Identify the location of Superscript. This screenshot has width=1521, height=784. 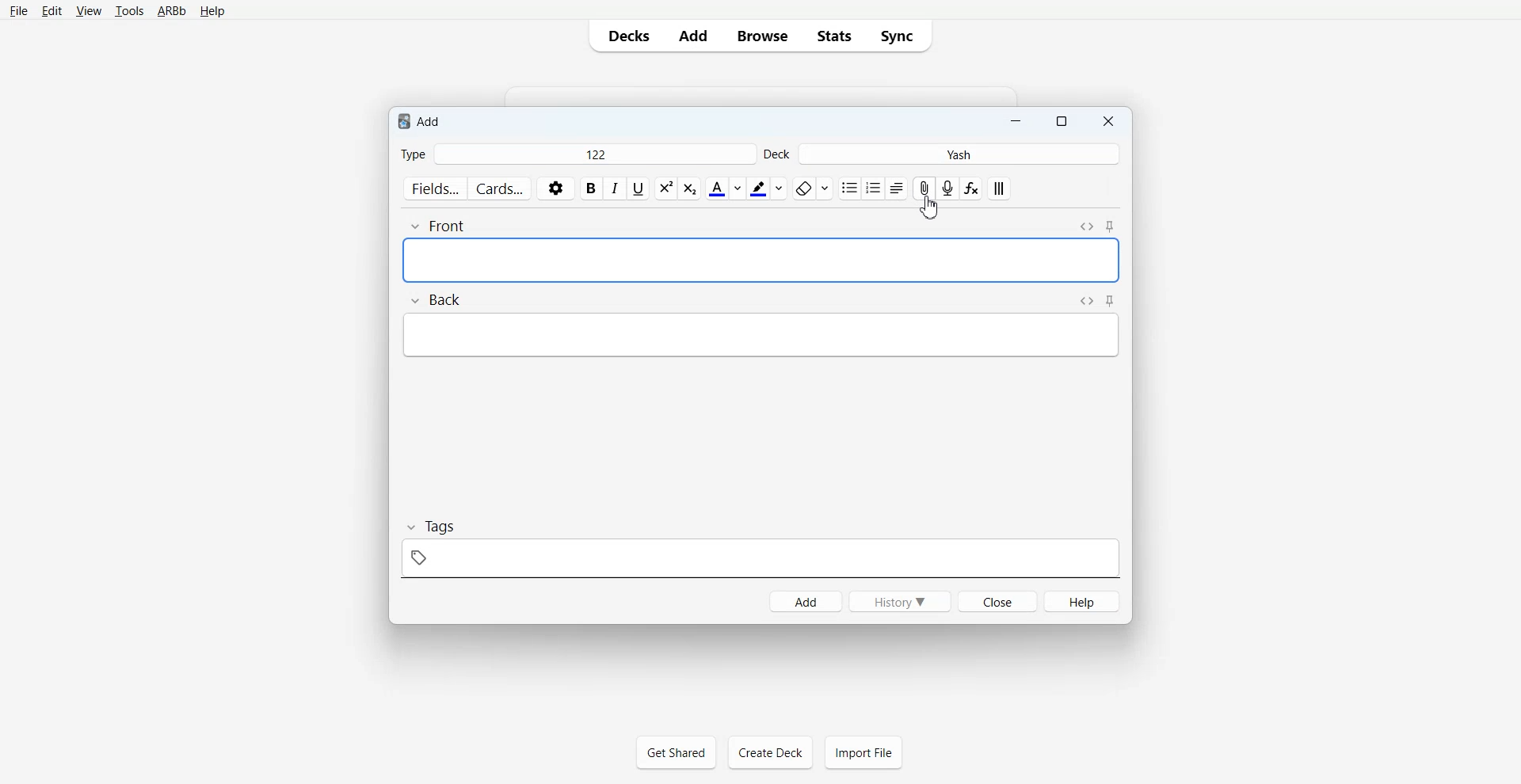
(689, 188).